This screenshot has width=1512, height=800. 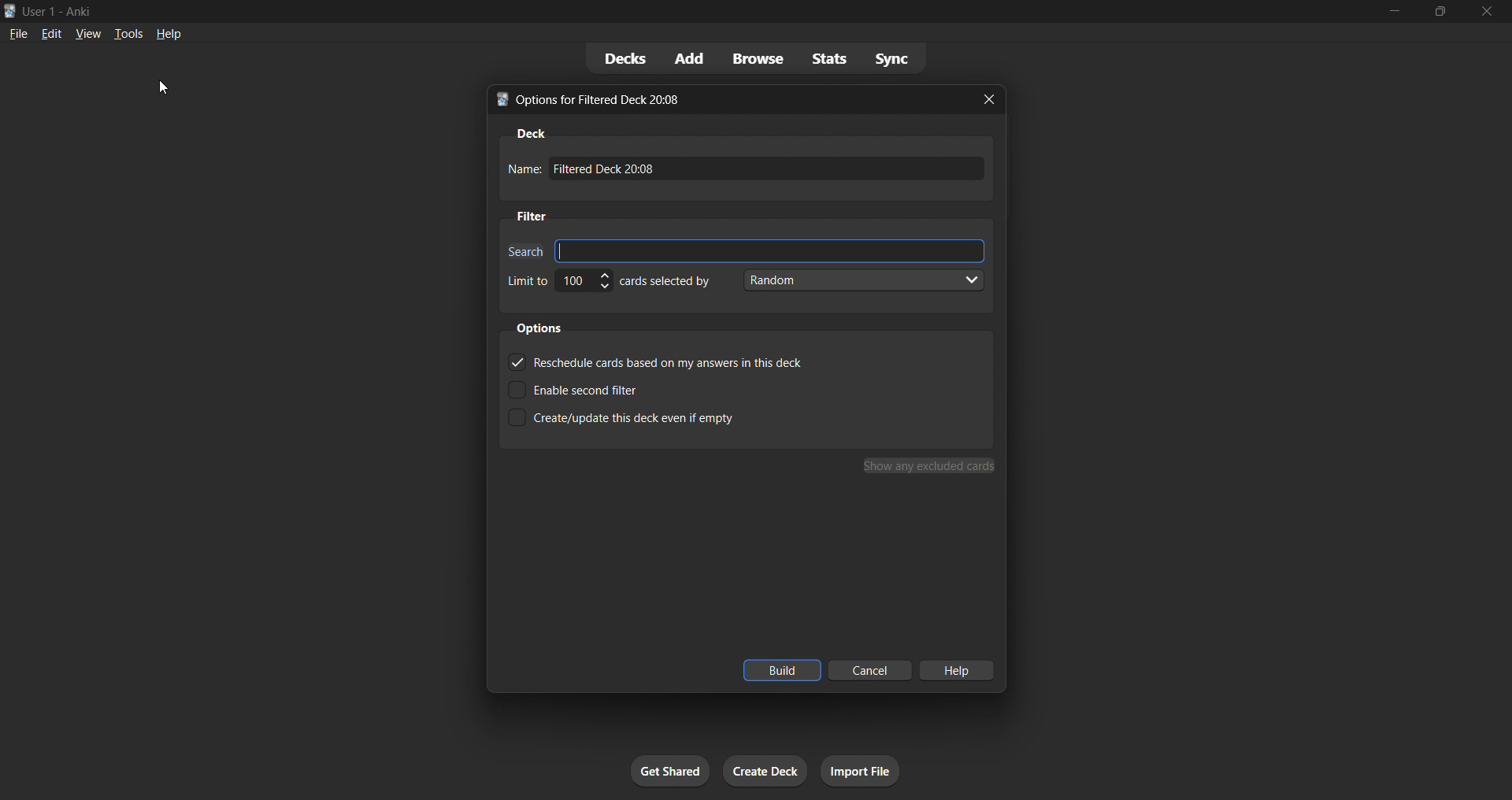 What do you see at coordinates (9, 11) in the screenshot?
I see `Anki` at bounding box center [9, 11].